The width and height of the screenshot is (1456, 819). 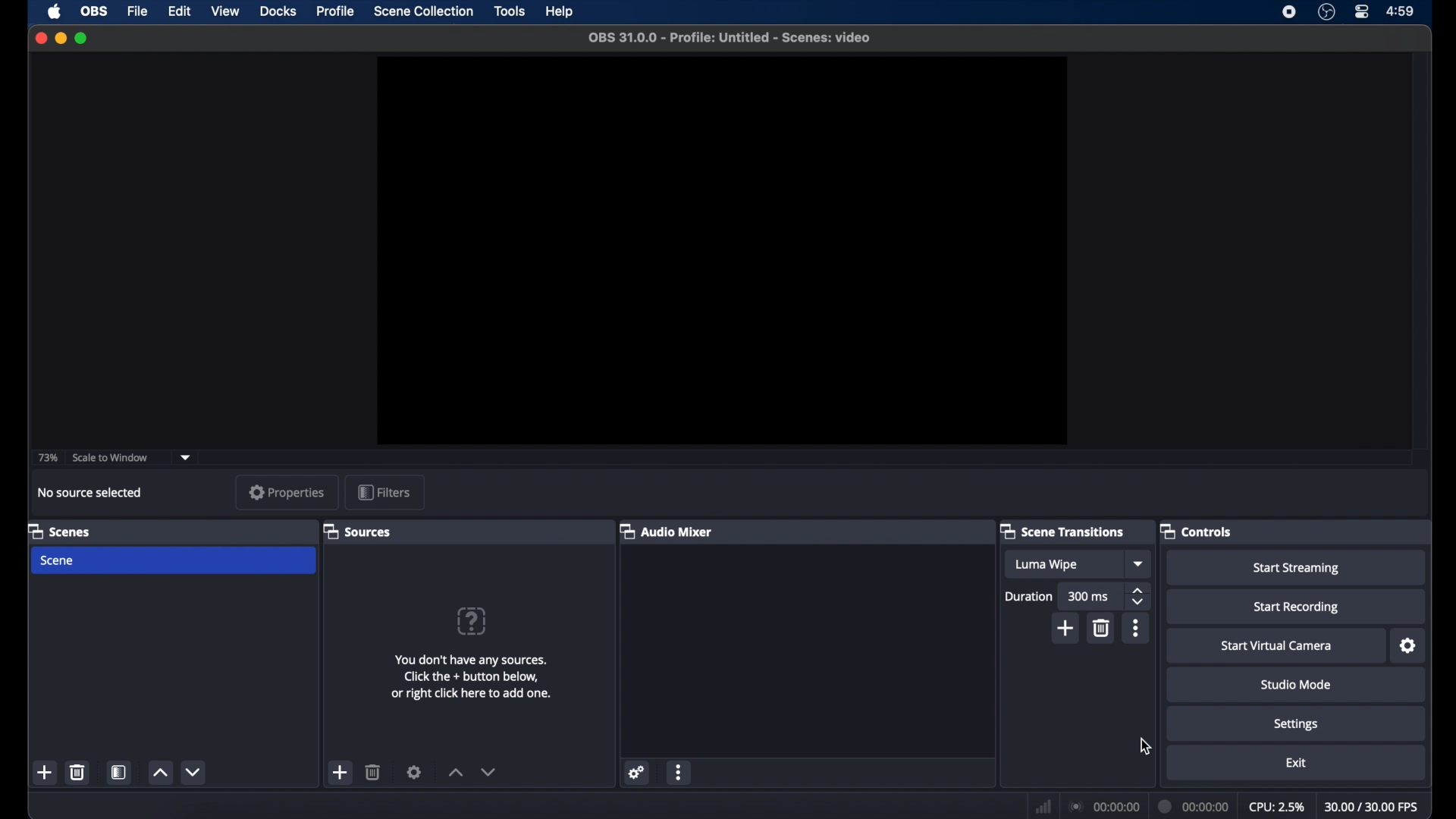 What do you see at coordinates (194, 772) in the screenshot?
I see `decrement` at bounding box center [194, 772].